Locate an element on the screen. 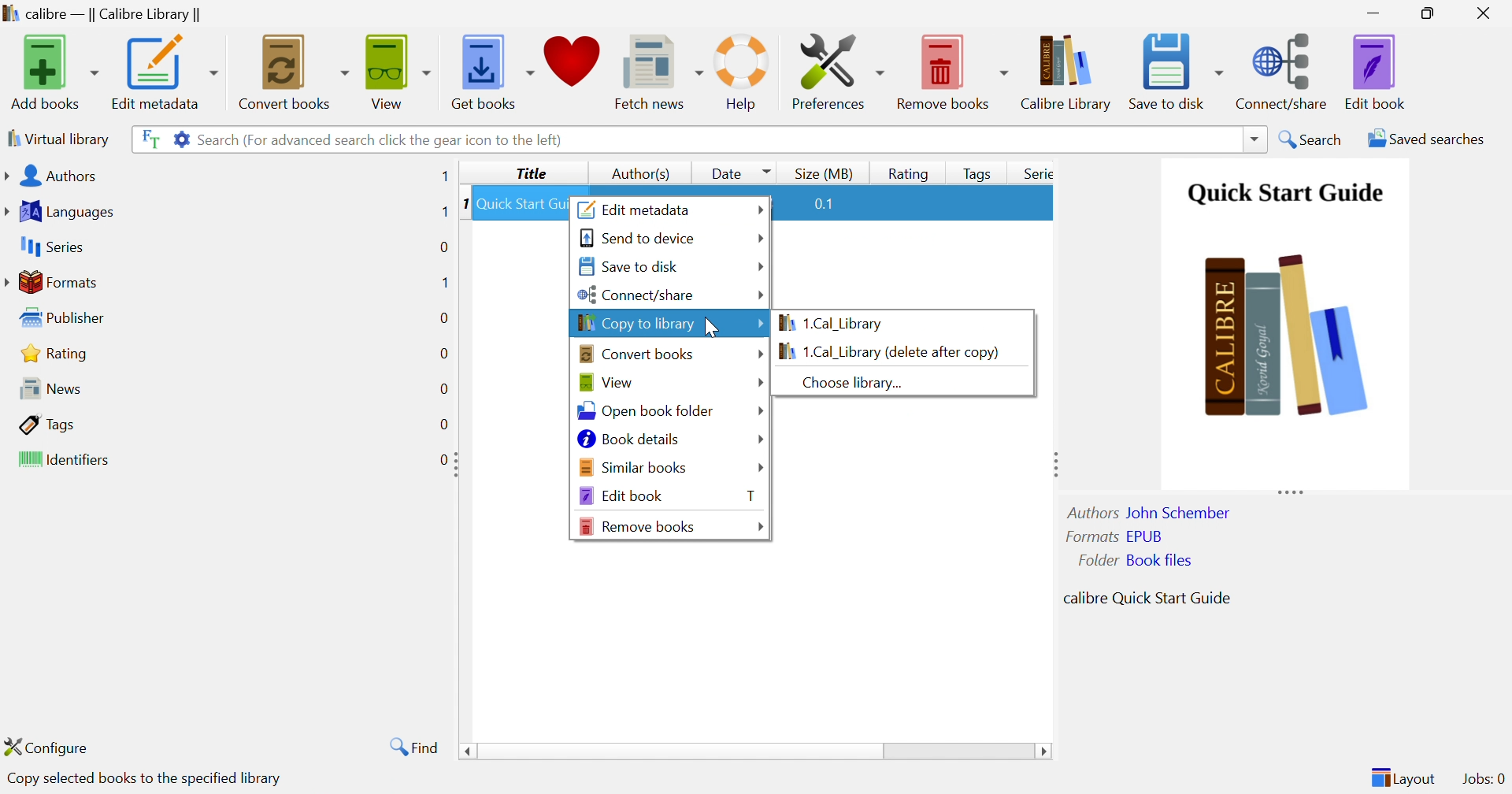 The image size is (1512, 794). Layout is located at coordinates (1402, 777).